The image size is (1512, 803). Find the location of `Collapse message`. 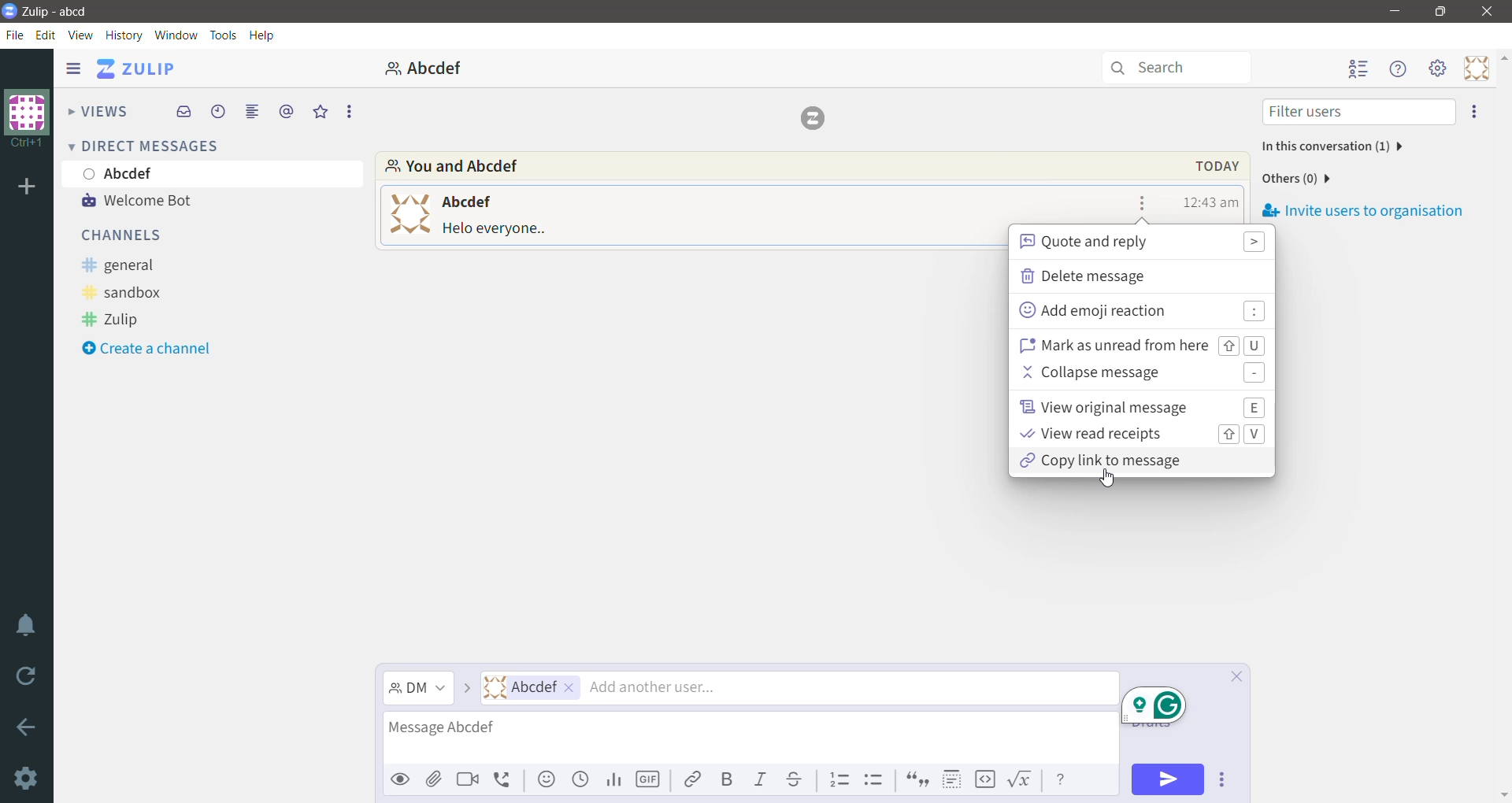

Collapse message is located at coordinates (1142, 373).